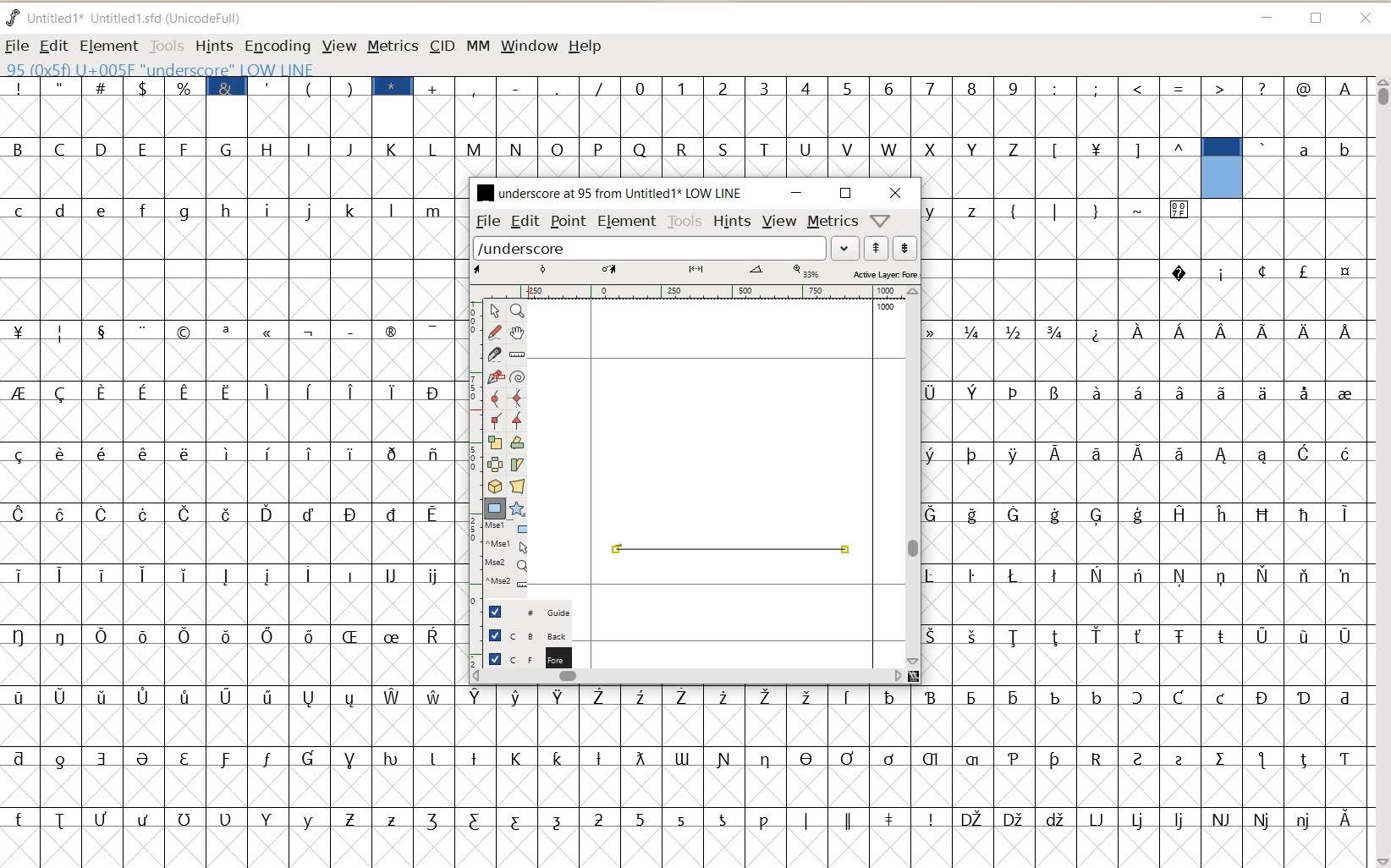 The height and width of the screenshot is (868, 1391). What do you see at coordinates (1284, 524) in the screenshot?
I see `GLYPHY CHARACTERS` at bounding box center [1284, 524].